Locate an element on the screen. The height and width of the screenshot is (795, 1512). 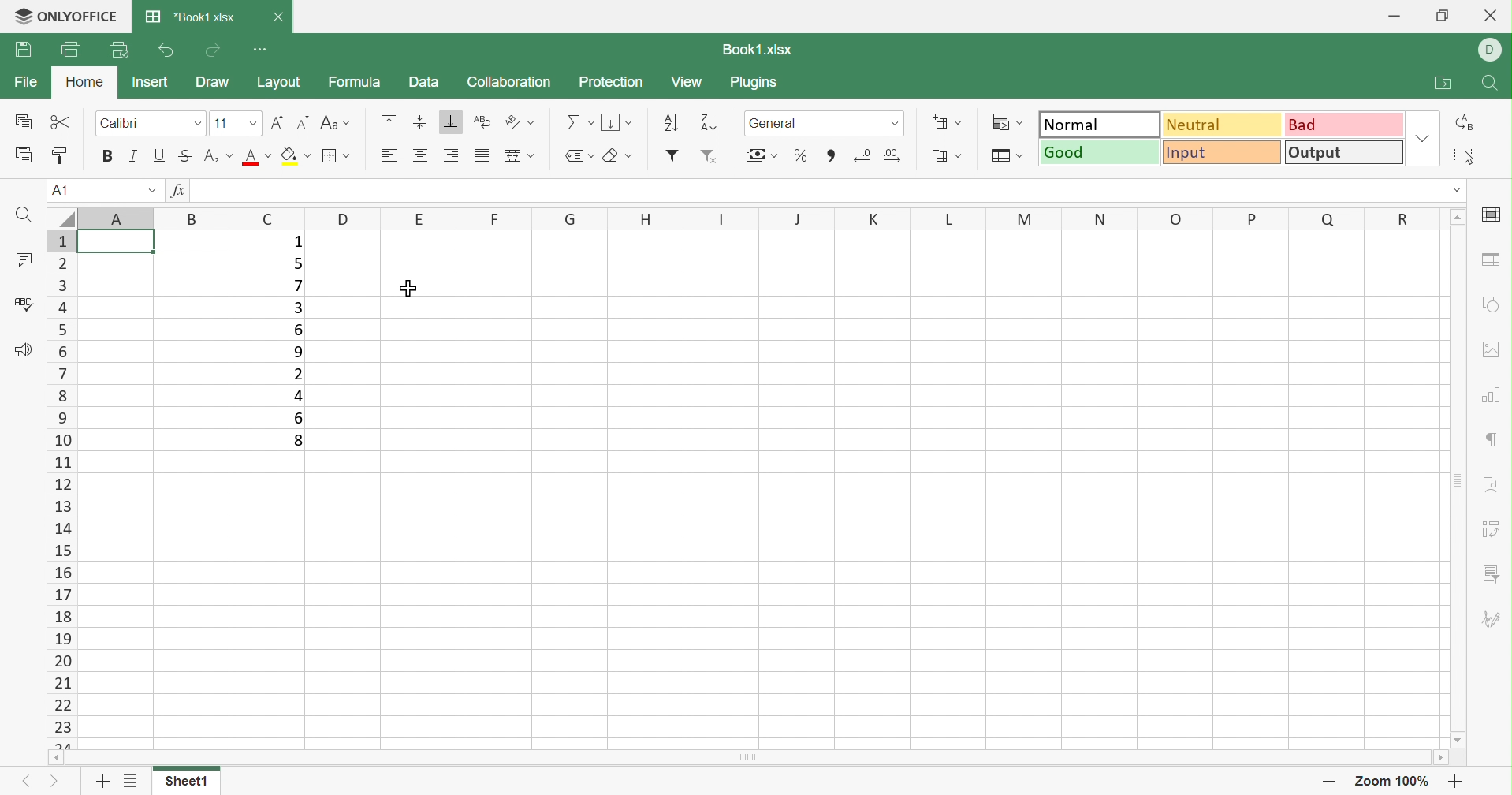
Draw is located at coordinates (214, 82).